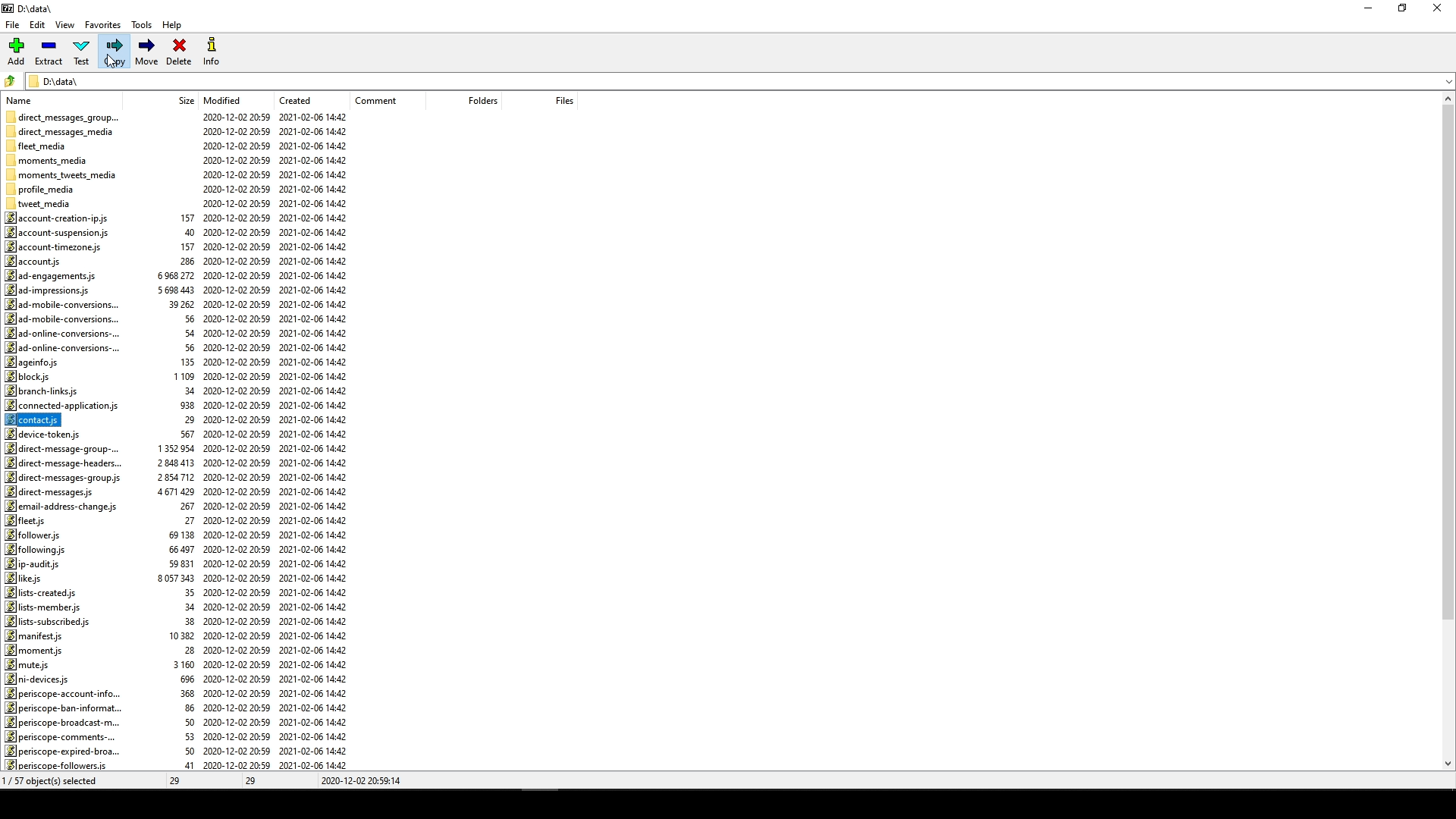 This screenshot has height=819, width=1456. Describe the element at coordinates (53, 290) in the screenshot. I see `ad-impressions.js` at that location.